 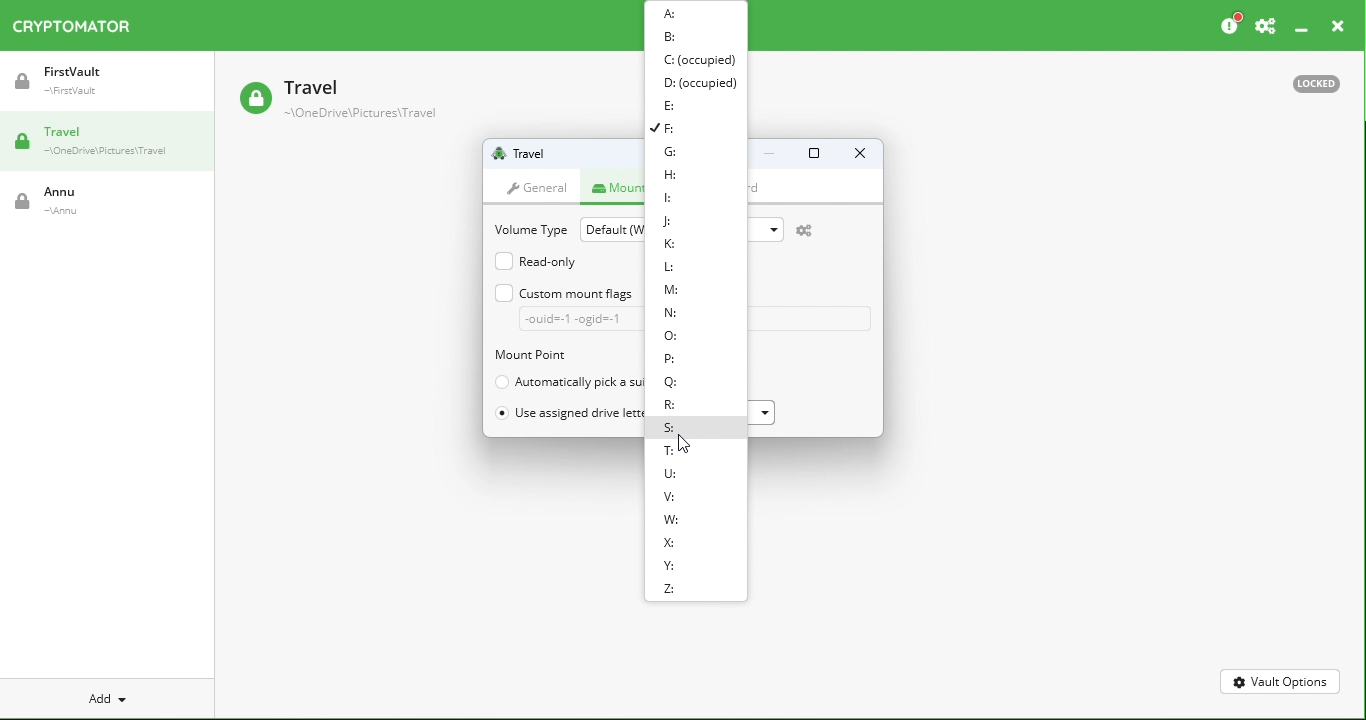 I want to click on Add new vault, so click(x=105, y=696).